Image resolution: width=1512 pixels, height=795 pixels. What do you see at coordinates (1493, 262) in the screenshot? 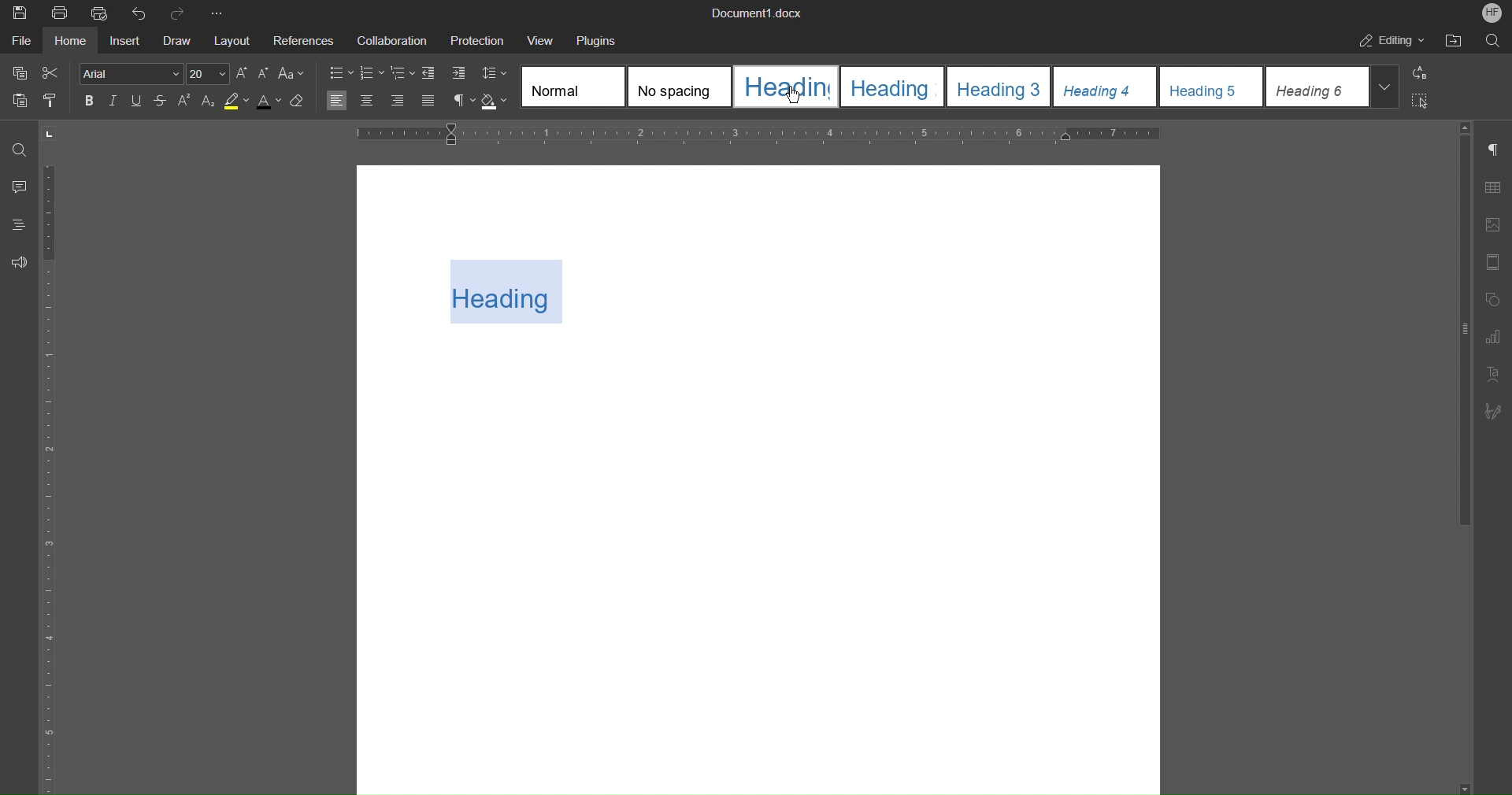
I see `Header/Footer` at bounding box center [1493, 262].